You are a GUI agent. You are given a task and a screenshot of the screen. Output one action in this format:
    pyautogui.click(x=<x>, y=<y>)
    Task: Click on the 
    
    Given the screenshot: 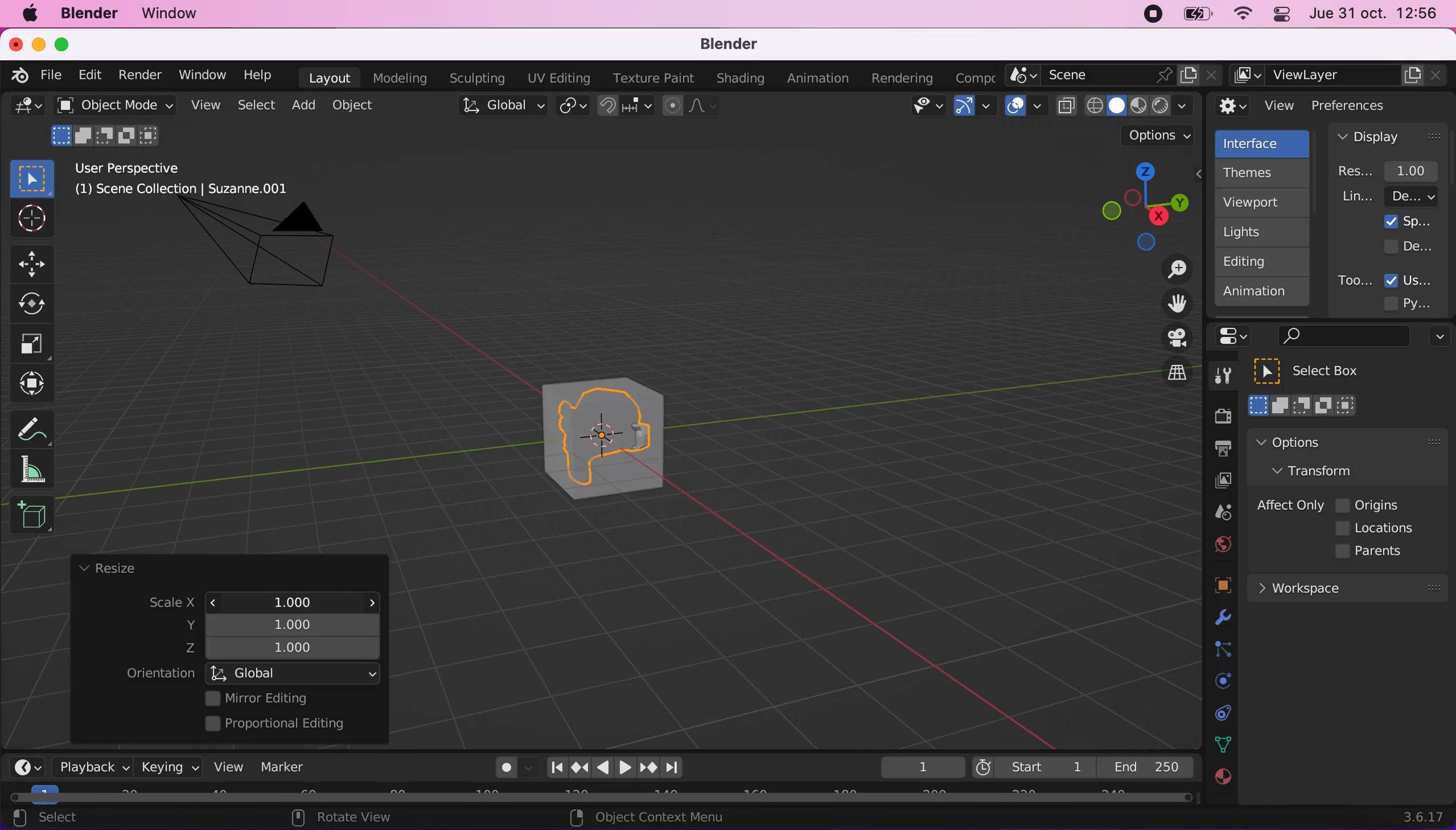 What is the action you would take?
    pyautogui.click(x=30, y=219)
    